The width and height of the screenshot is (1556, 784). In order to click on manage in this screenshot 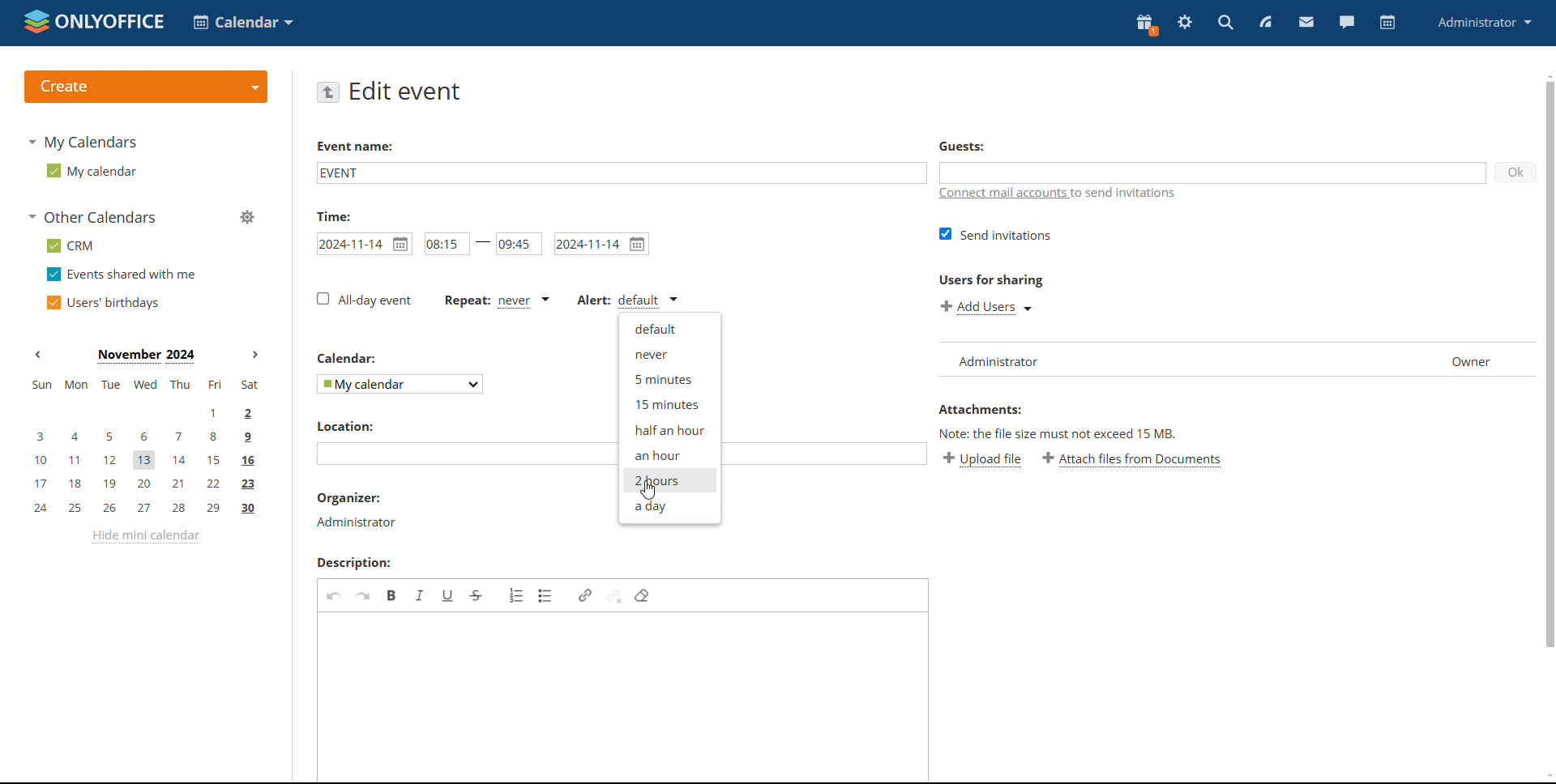, I will do `click(246, 217)`.